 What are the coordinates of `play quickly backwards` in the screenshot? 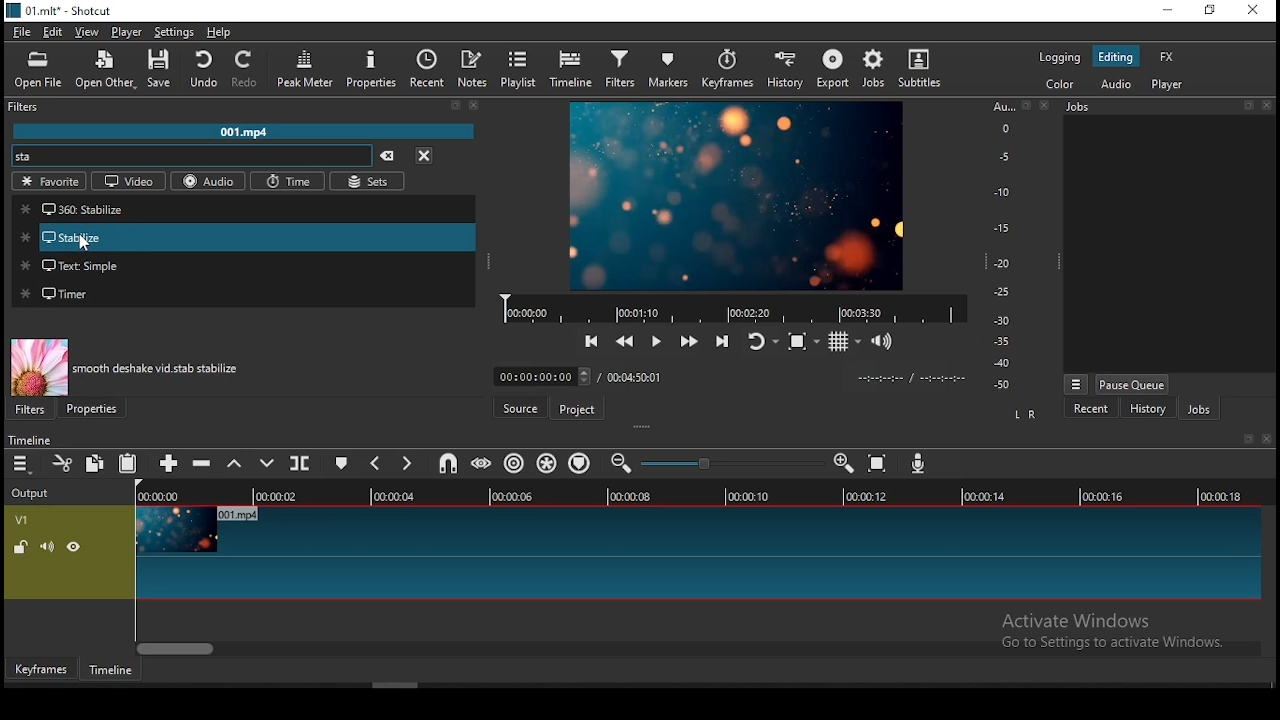 It's located at (623, 346).